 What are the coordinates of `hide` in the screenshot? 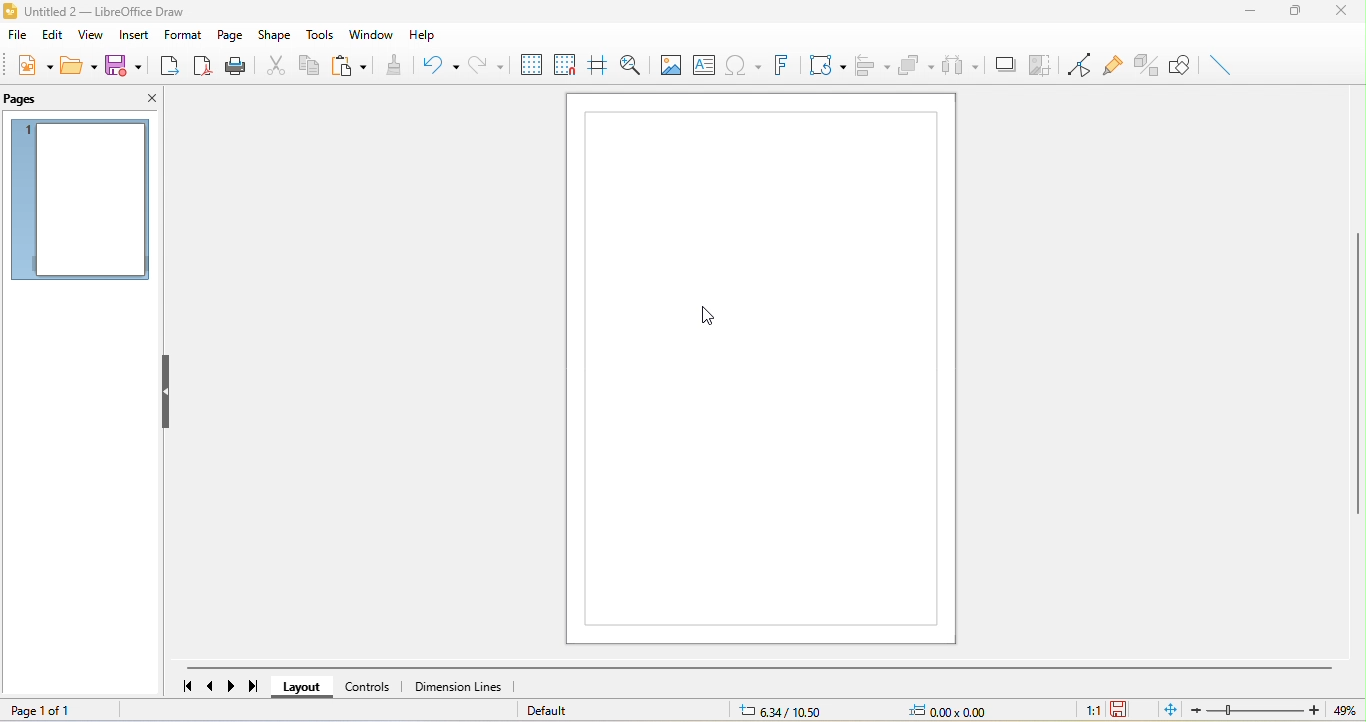 It's located at (167, 390).